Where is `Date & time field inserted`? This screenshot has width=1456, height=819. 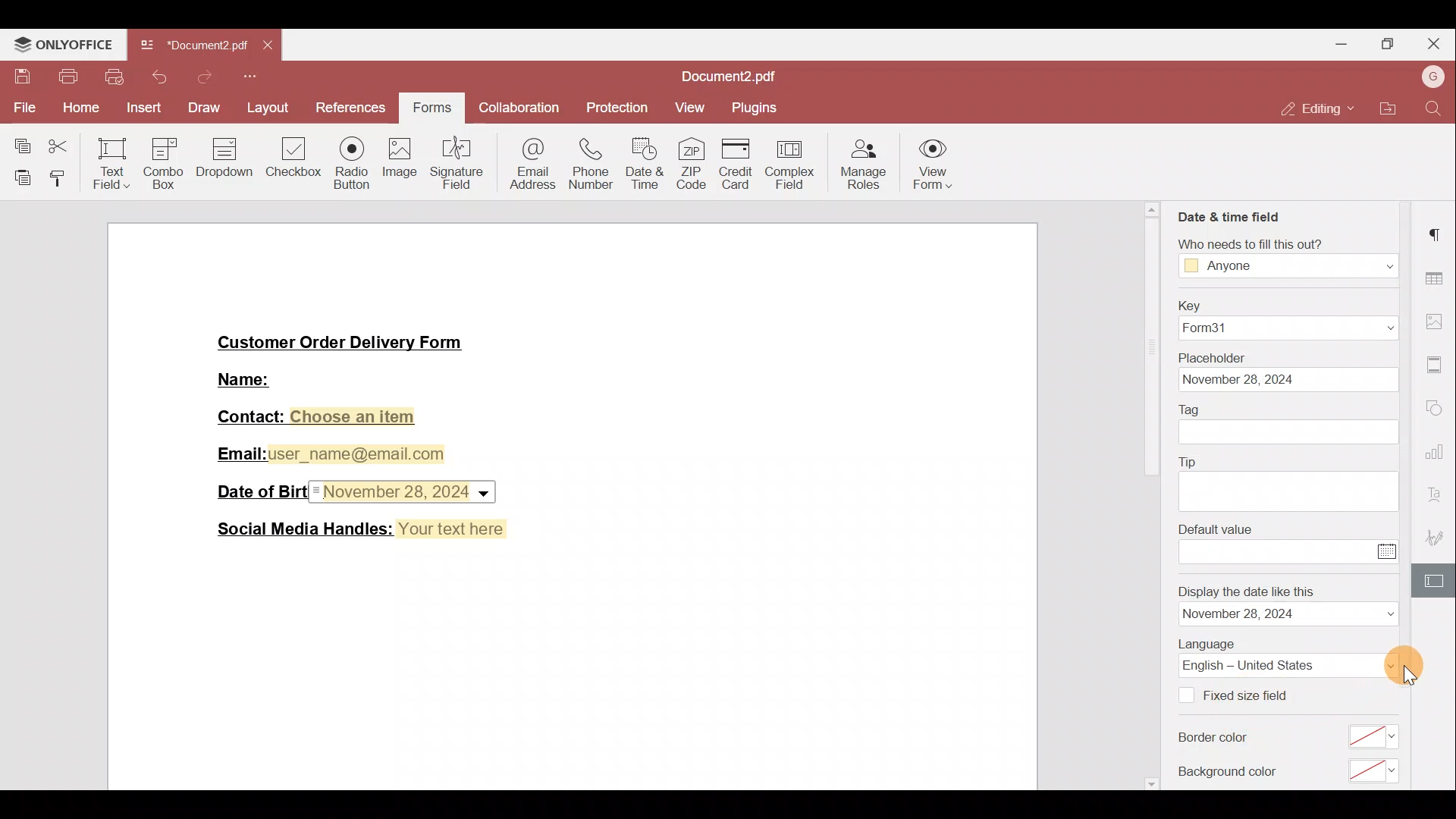
Date & time field inserted is located at coordinates (406, 492).